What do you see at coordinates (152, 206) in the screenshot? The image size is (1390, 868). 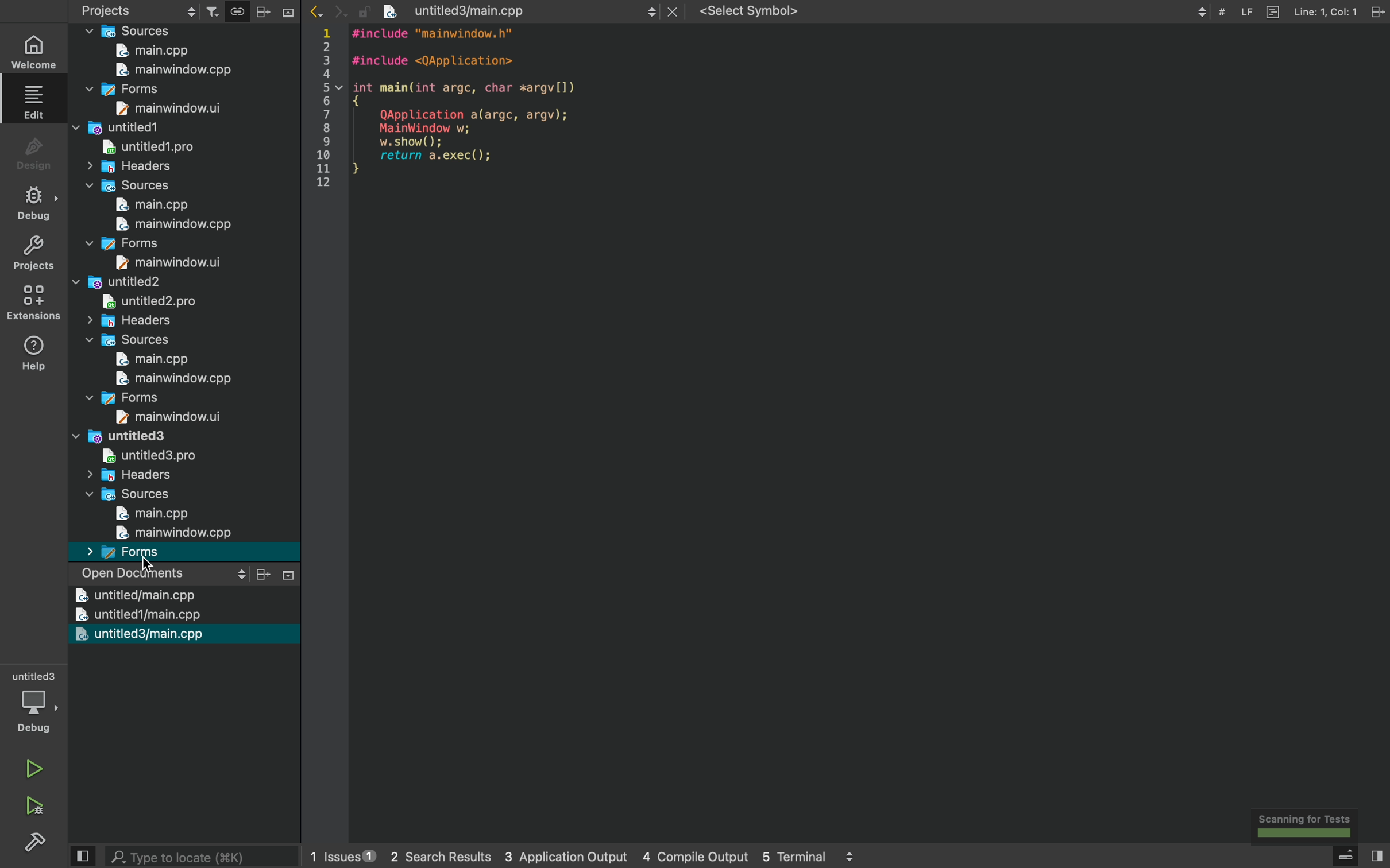 I see `main.cpp` at bounding box center [152, 206].